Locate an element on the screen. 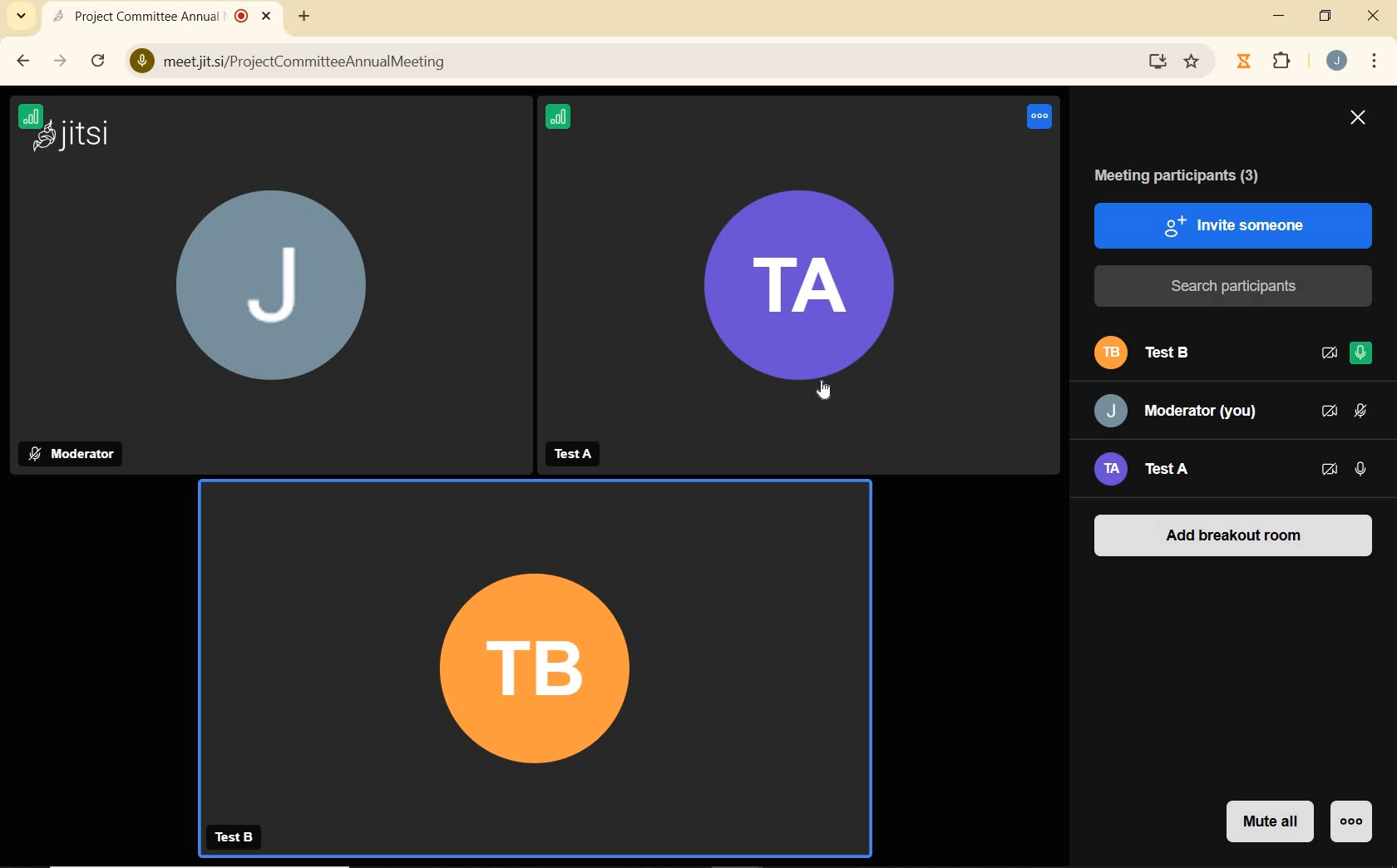  CAMERA is located at coordinates (1330, 471).